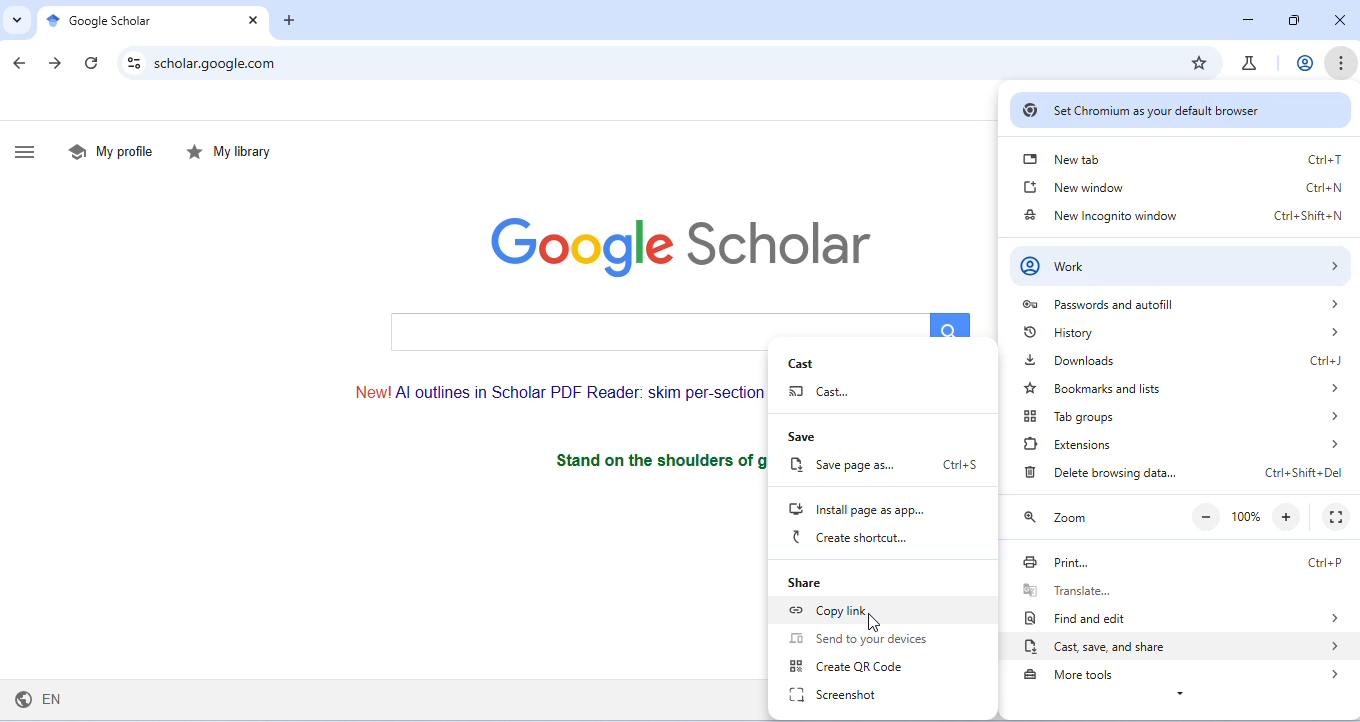 This screenshot has width=1360, height=722. I want to click on tab groups, so click(1185, 416).